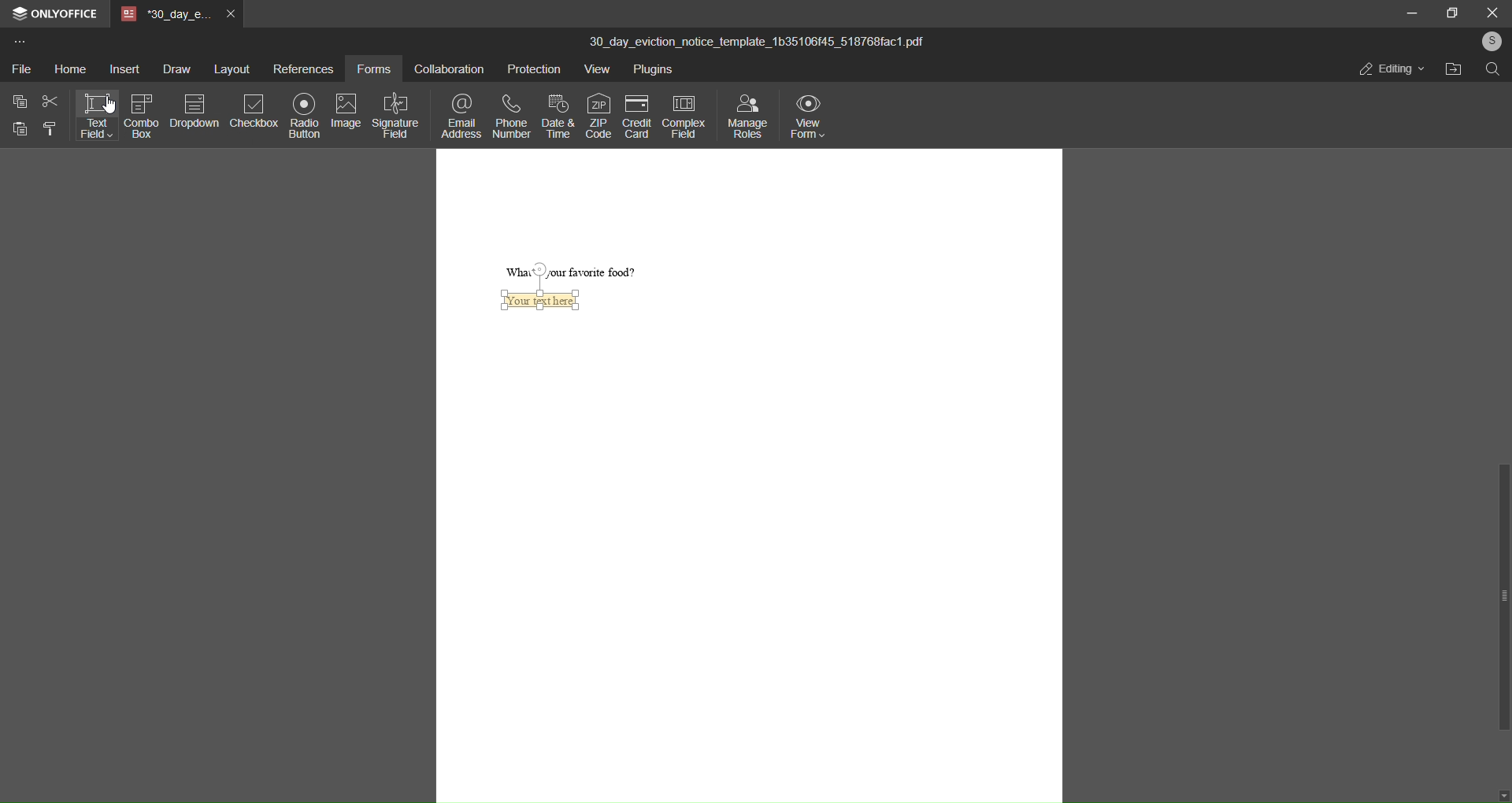 This screenshot has width=1512, height=803. Describe the element at coordinates (397, 114) in the screenshot. I see `signature` at that location.